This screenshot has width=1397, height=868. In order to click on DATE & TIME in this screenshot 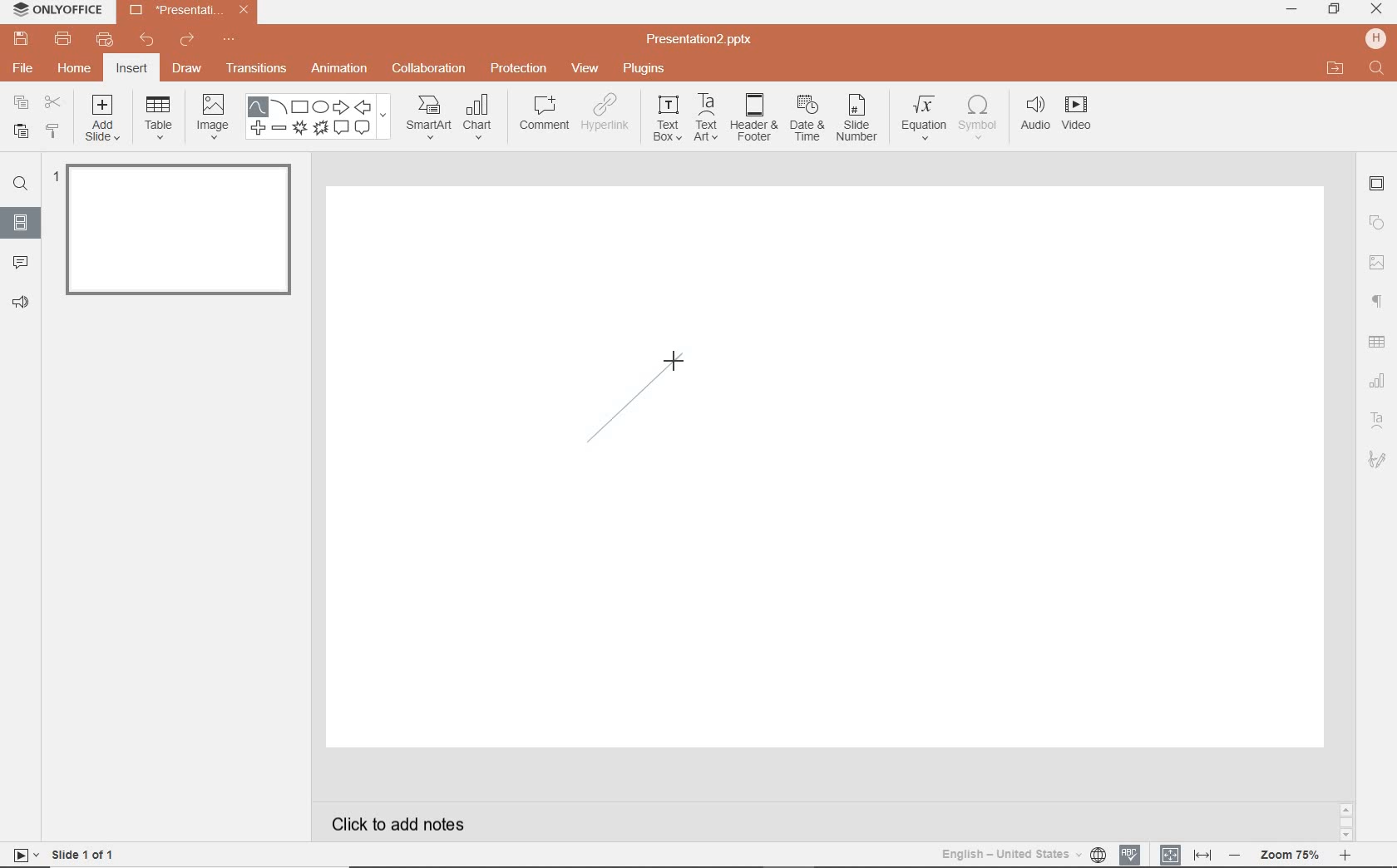, I will do `click(807, 121)`.